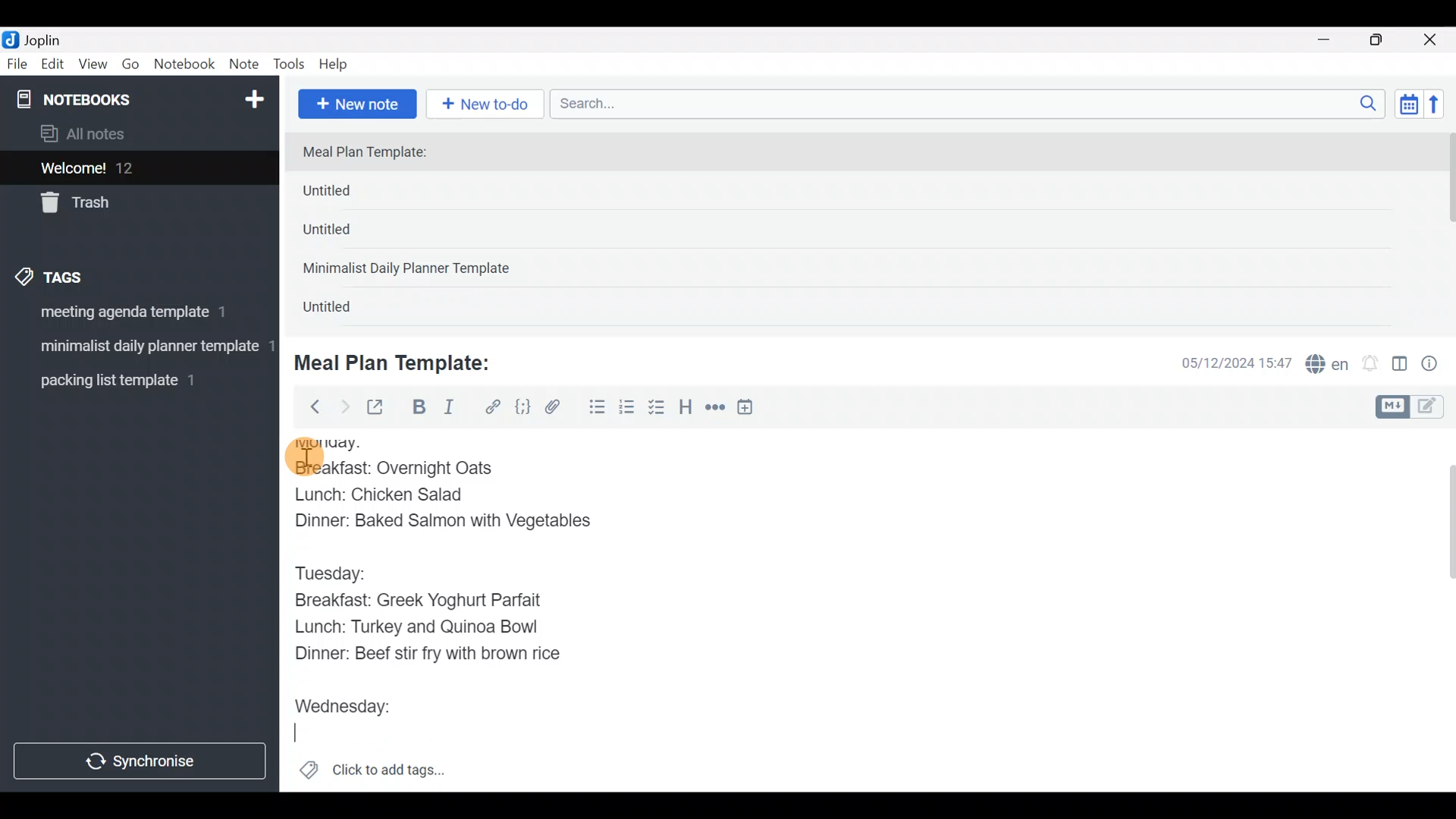 The image size is (1456, 819). I want to click on Numbered list, so click(627, 410).